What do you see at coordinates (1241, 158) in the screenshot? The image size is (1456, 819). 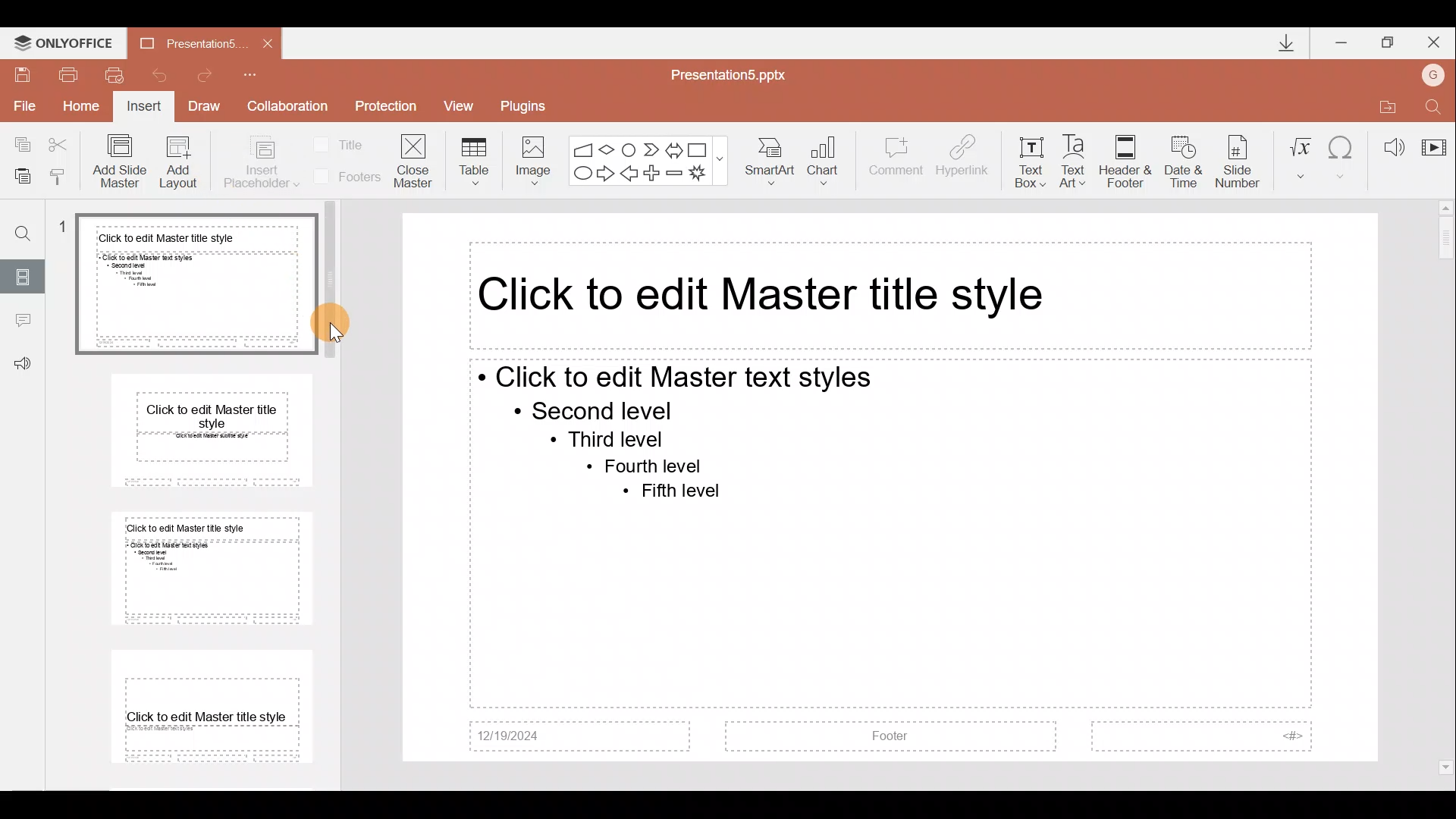 I see `Slide number` at bounding box center [1241, 158].